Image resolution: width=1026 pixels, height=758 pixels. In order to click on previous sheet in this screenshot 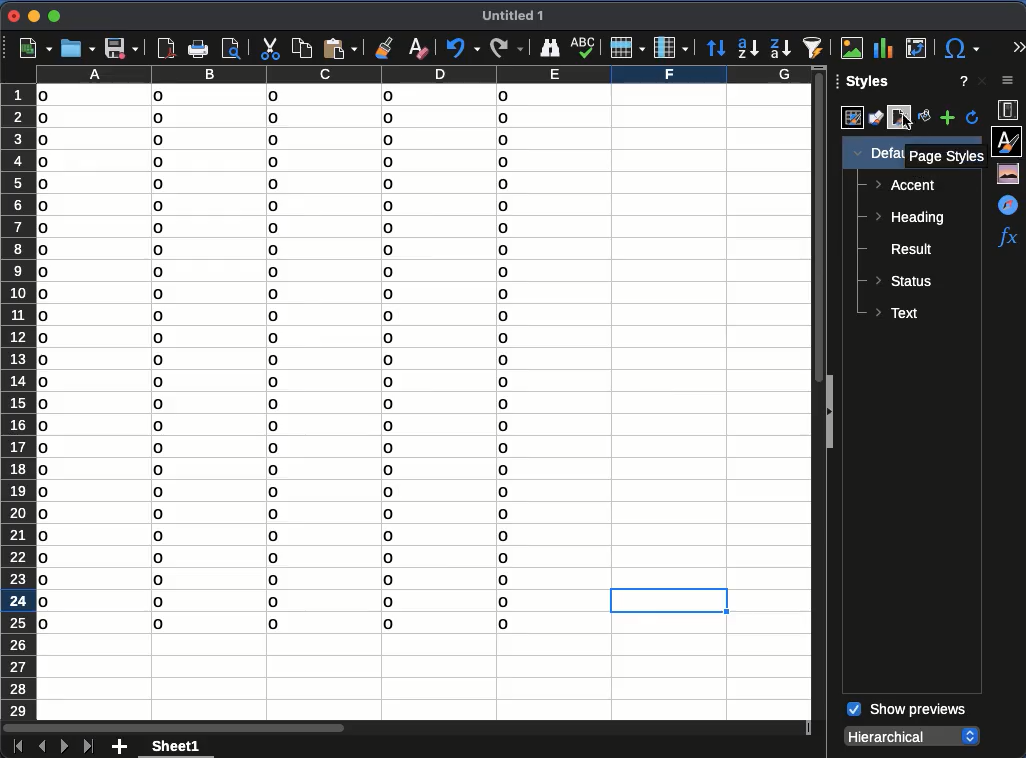, I will do `click(40, 747)`.